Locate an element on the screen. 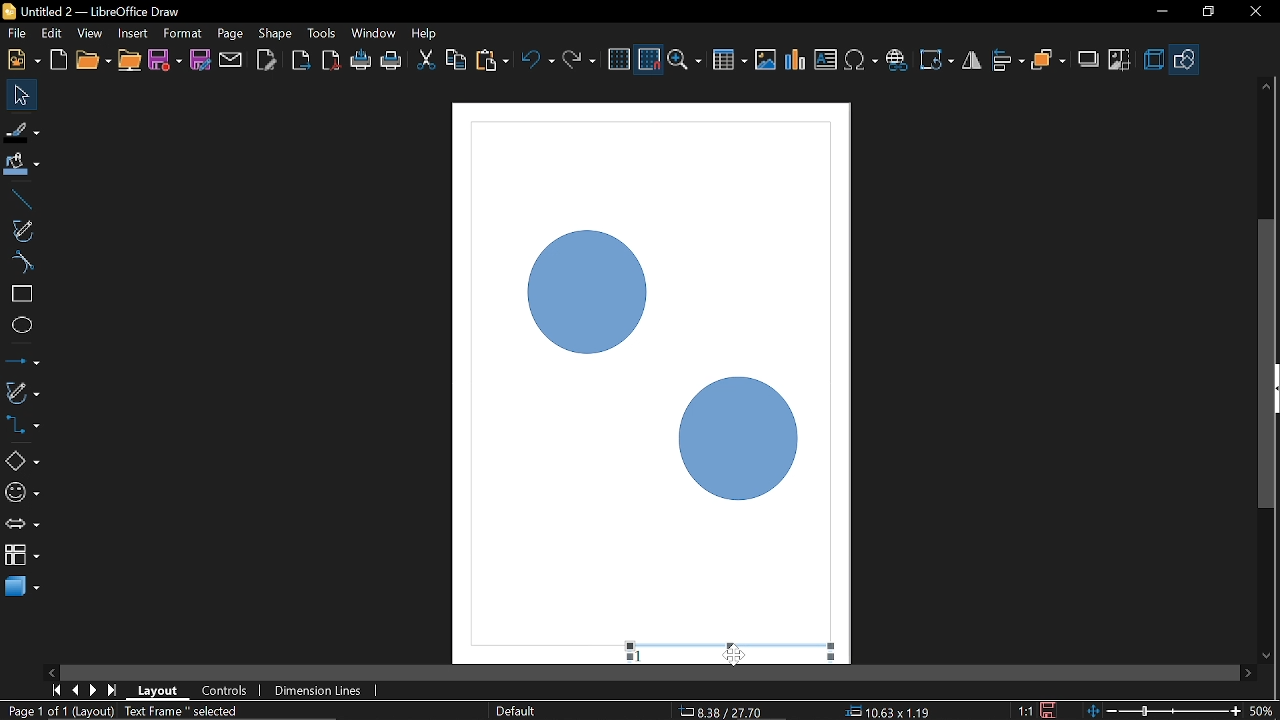  Format is located at coordinates (182, 34).